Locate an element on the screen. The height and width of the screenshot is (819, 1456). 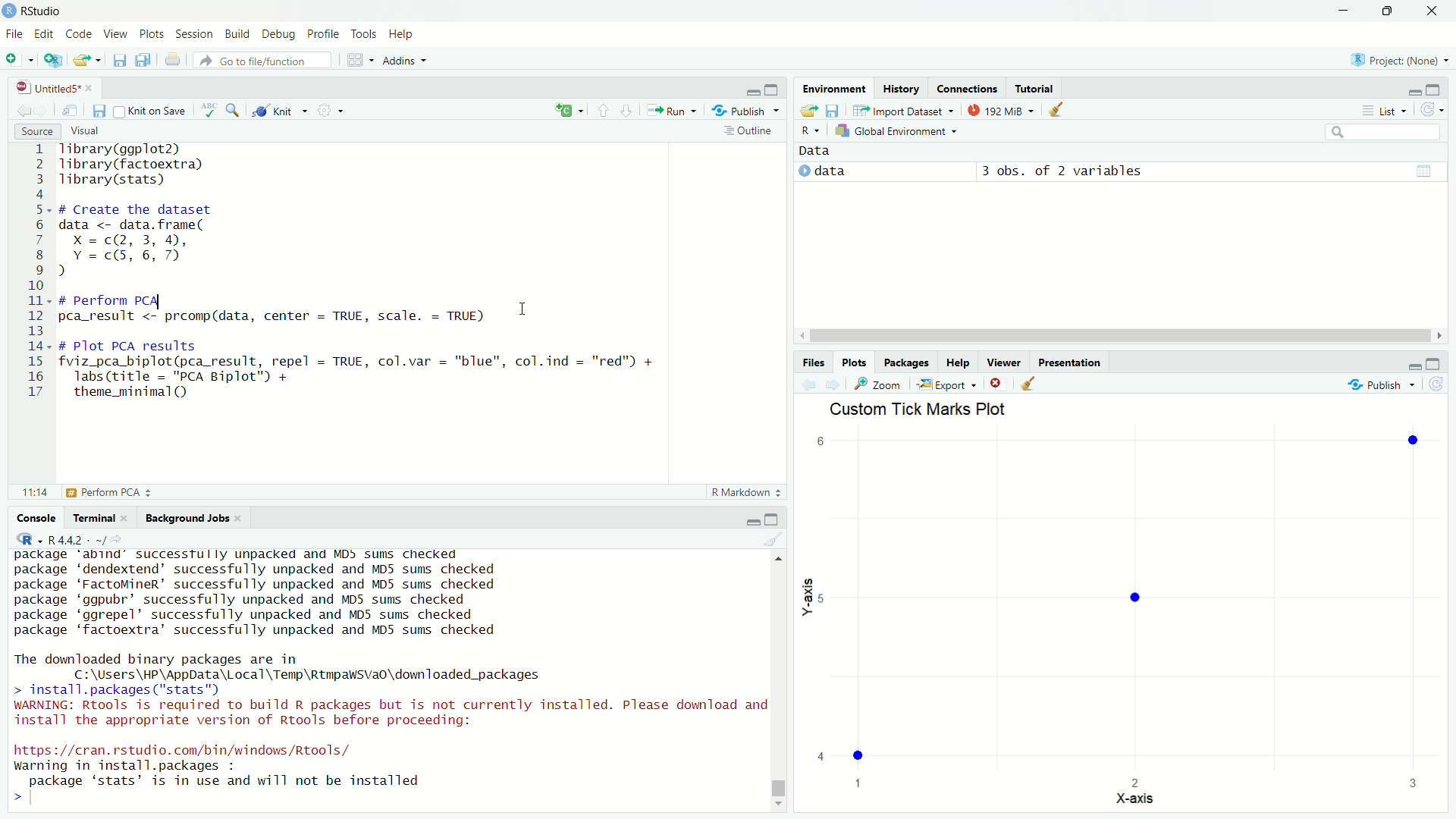
Logo is located at coordinates (10, 11).